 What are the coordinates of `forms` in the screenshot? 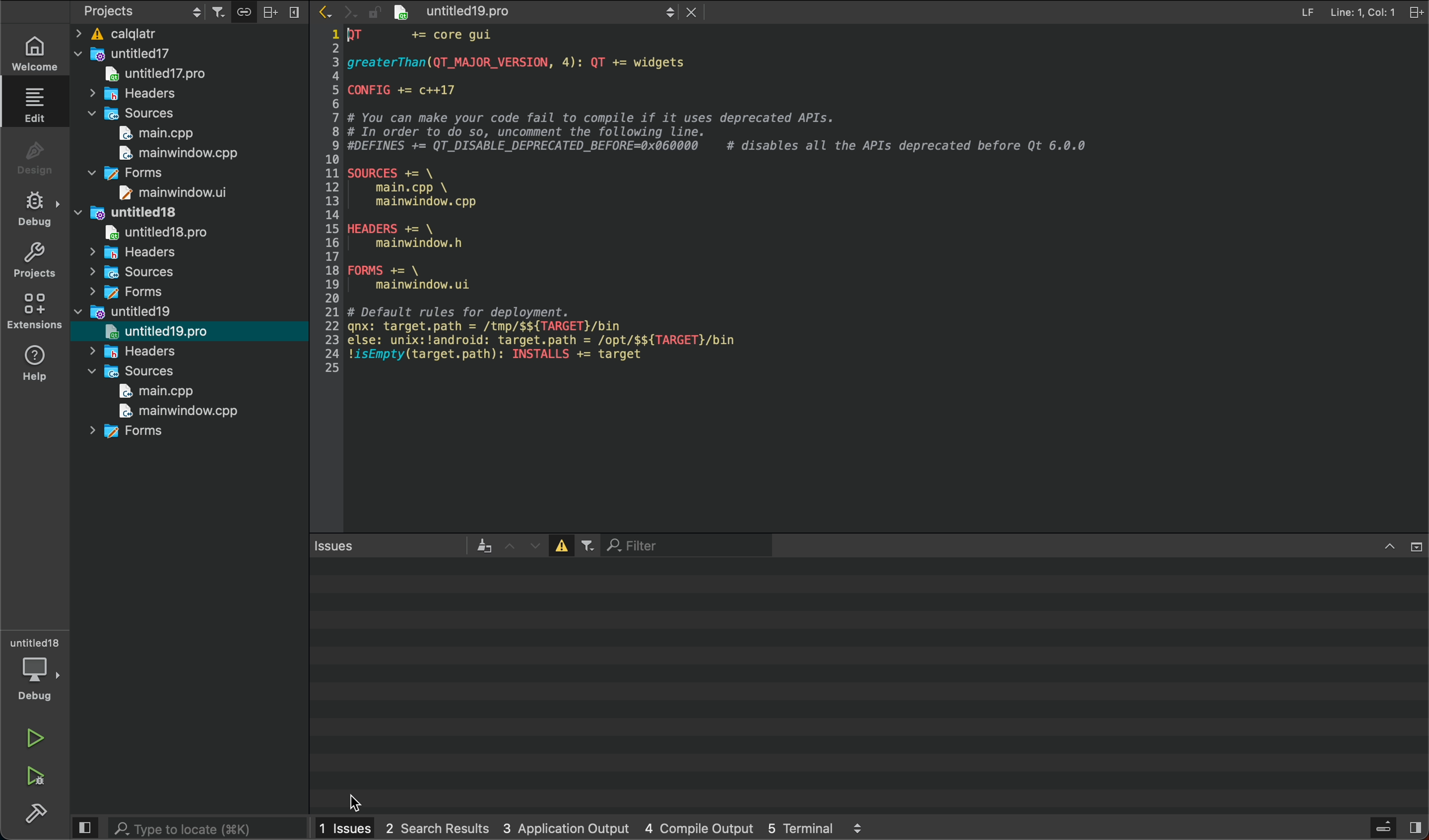 It's located at (129, 289).